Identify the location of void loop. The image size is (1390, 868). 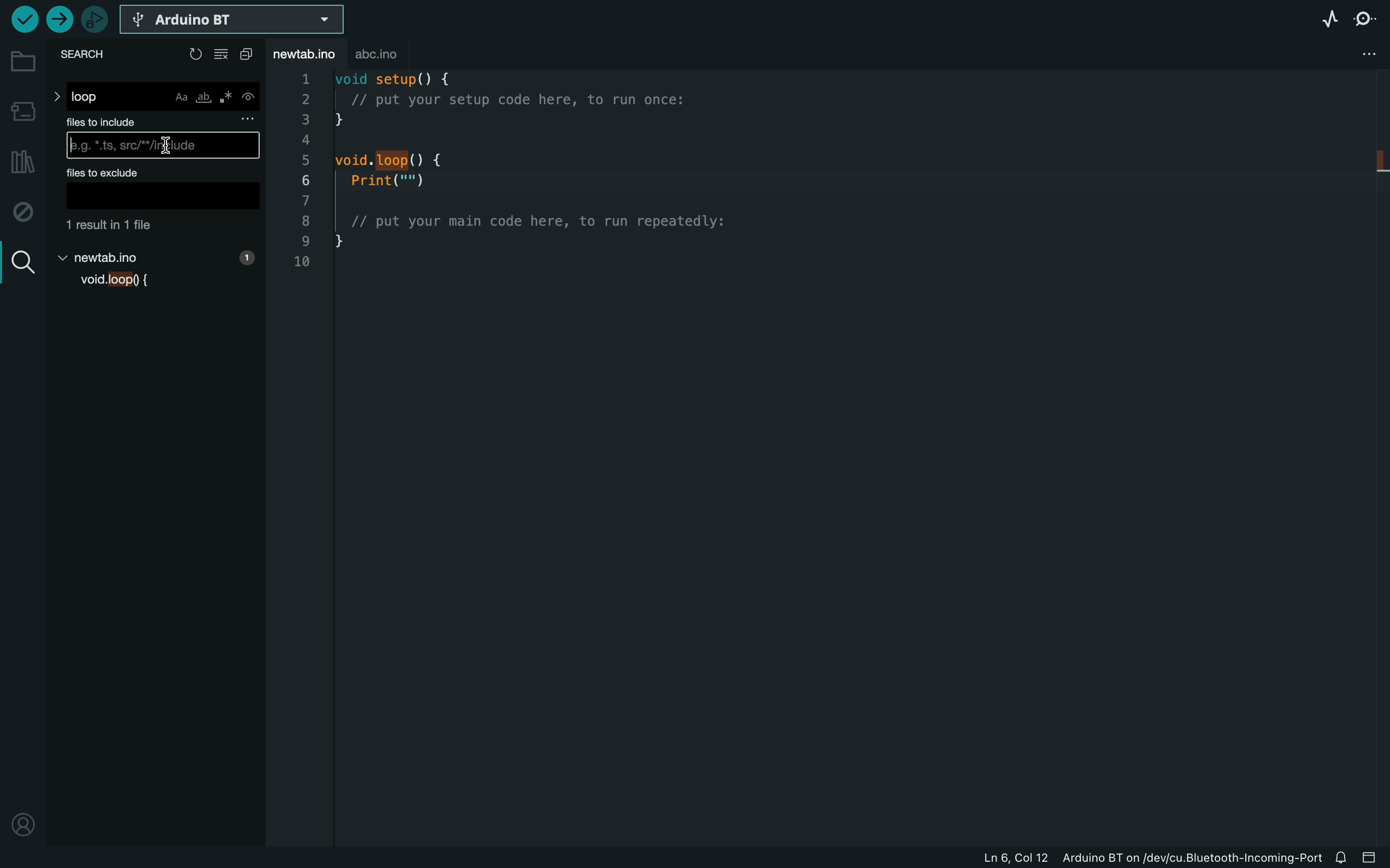
(122, 282).